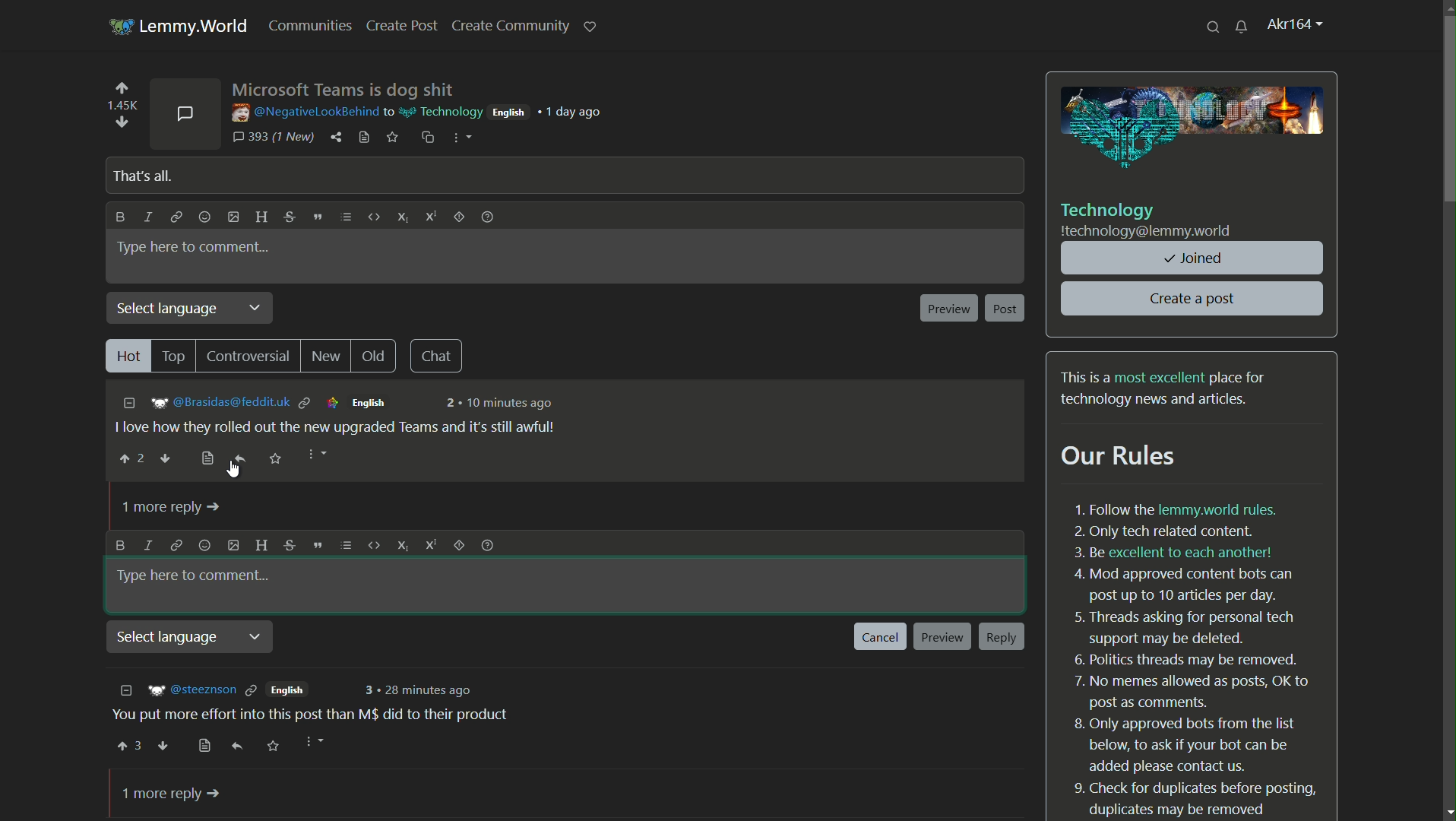 Image resolution: width=1456 pixels, height=821 pixels. What do you see at coordinates (290, 545) in the screenshot?
I see `strike through` at bounding box center [290, 545].